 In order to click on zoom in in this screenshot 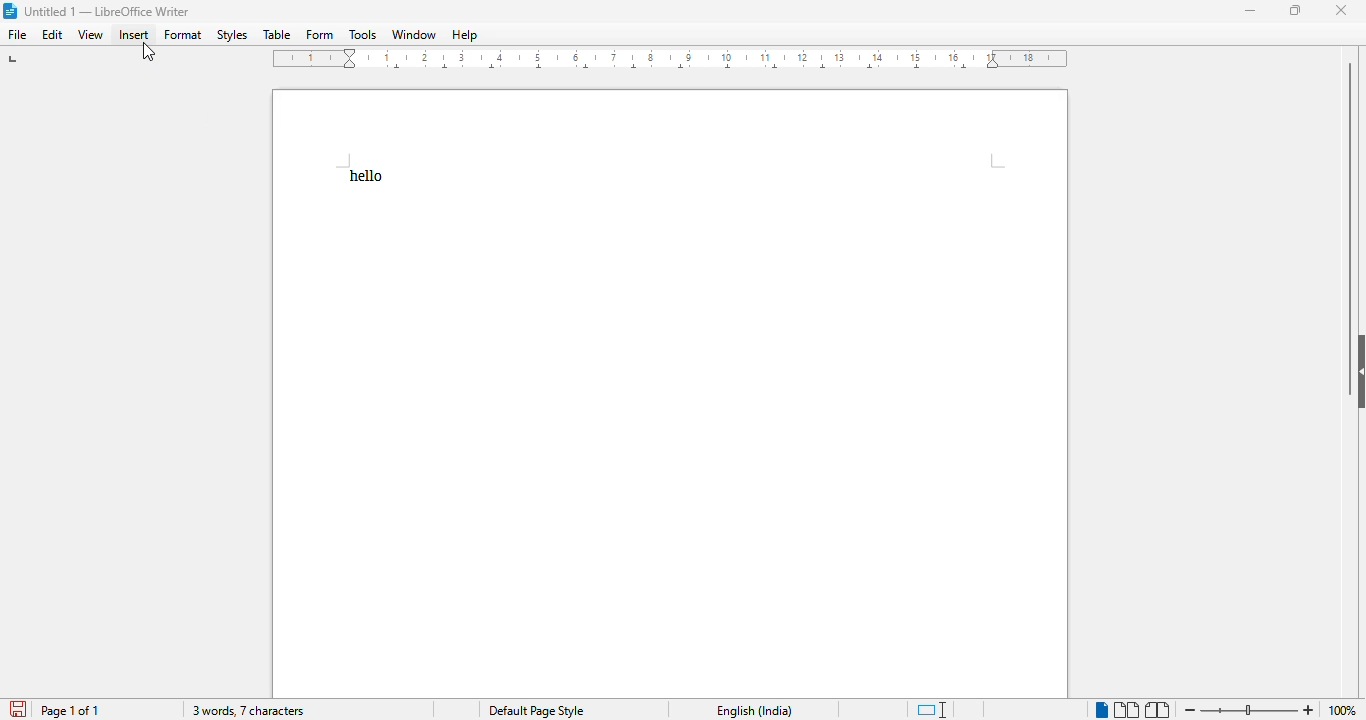, I will do `click(1310, 710)`.